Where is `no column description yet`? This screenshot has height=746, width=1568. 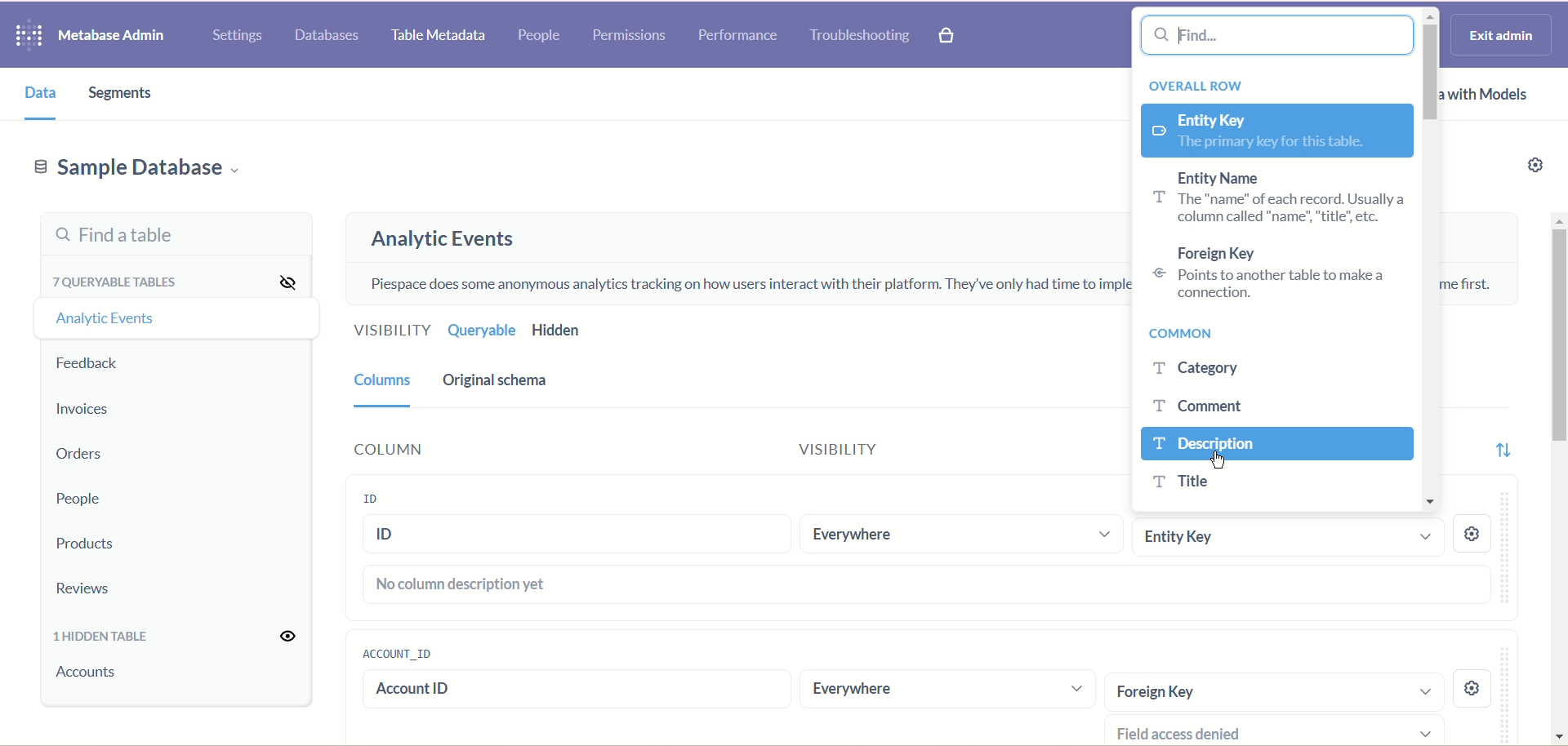 no column description yet is located at coordinates (922, 585).